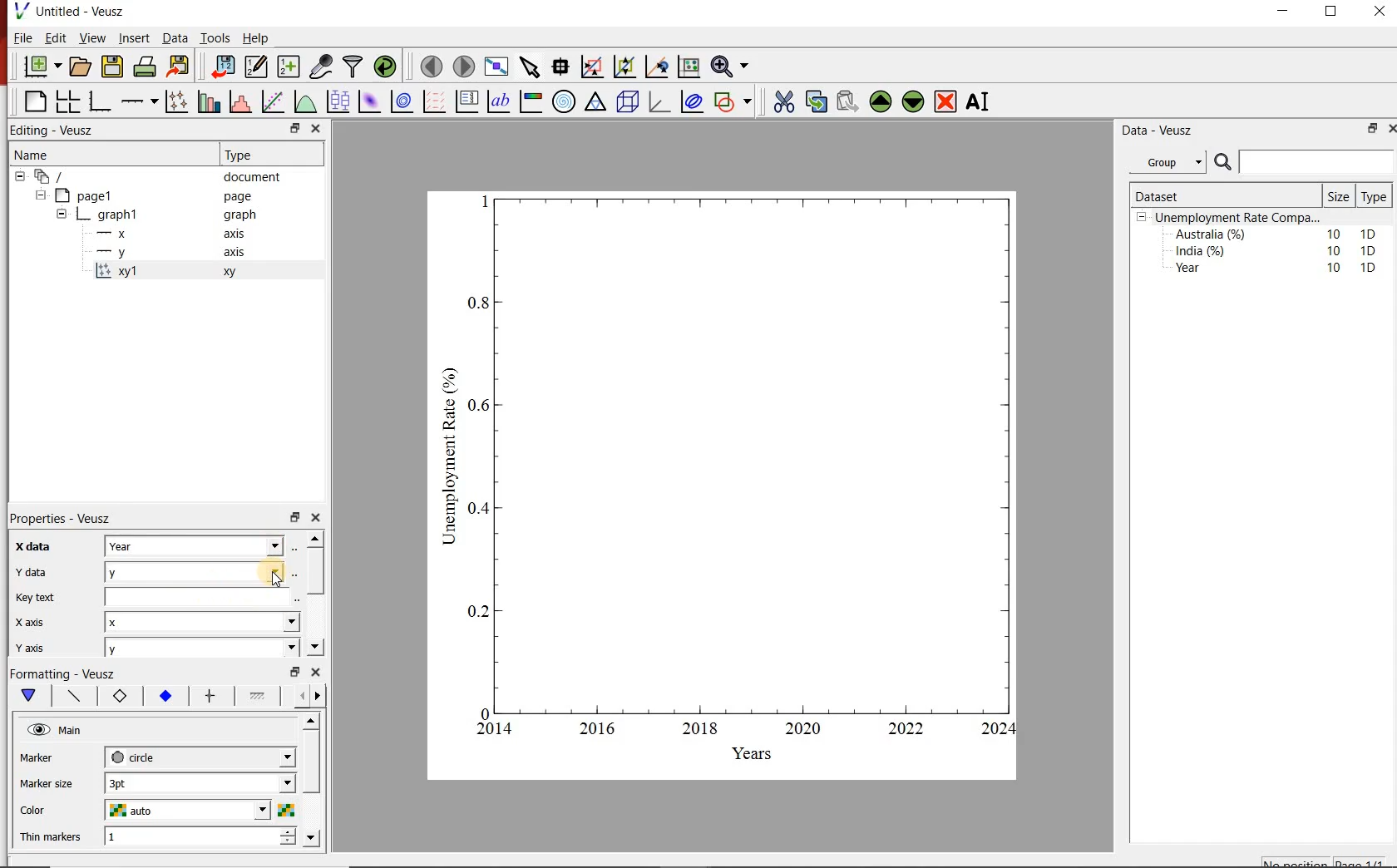 Image resolution: width=1397 pixels, height=868 pixels. I want to click on maximise, so click(1333, 15).